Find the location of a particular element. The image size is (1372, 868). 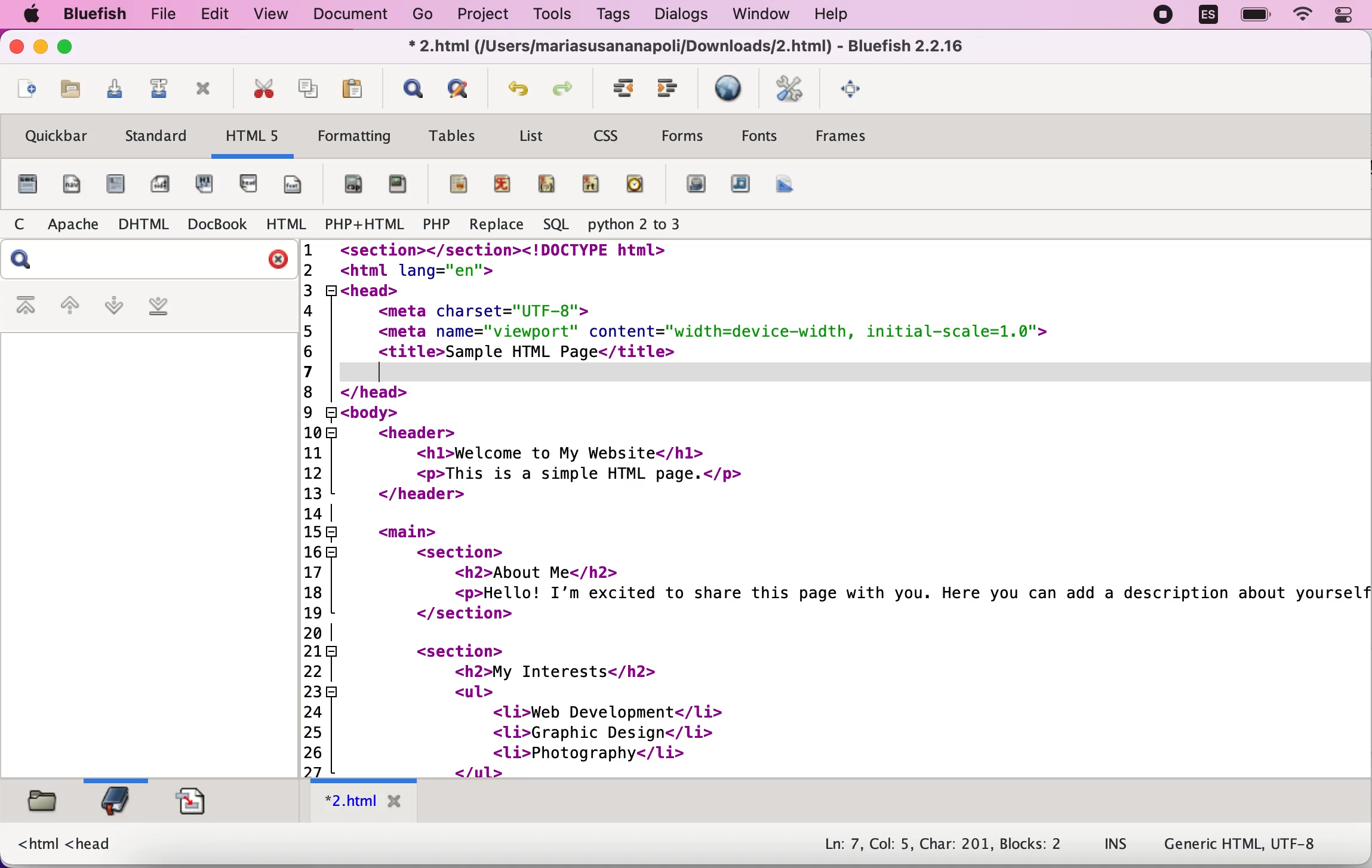

Generic HTML, UTF-8 is located at coordinates (1245, 847).